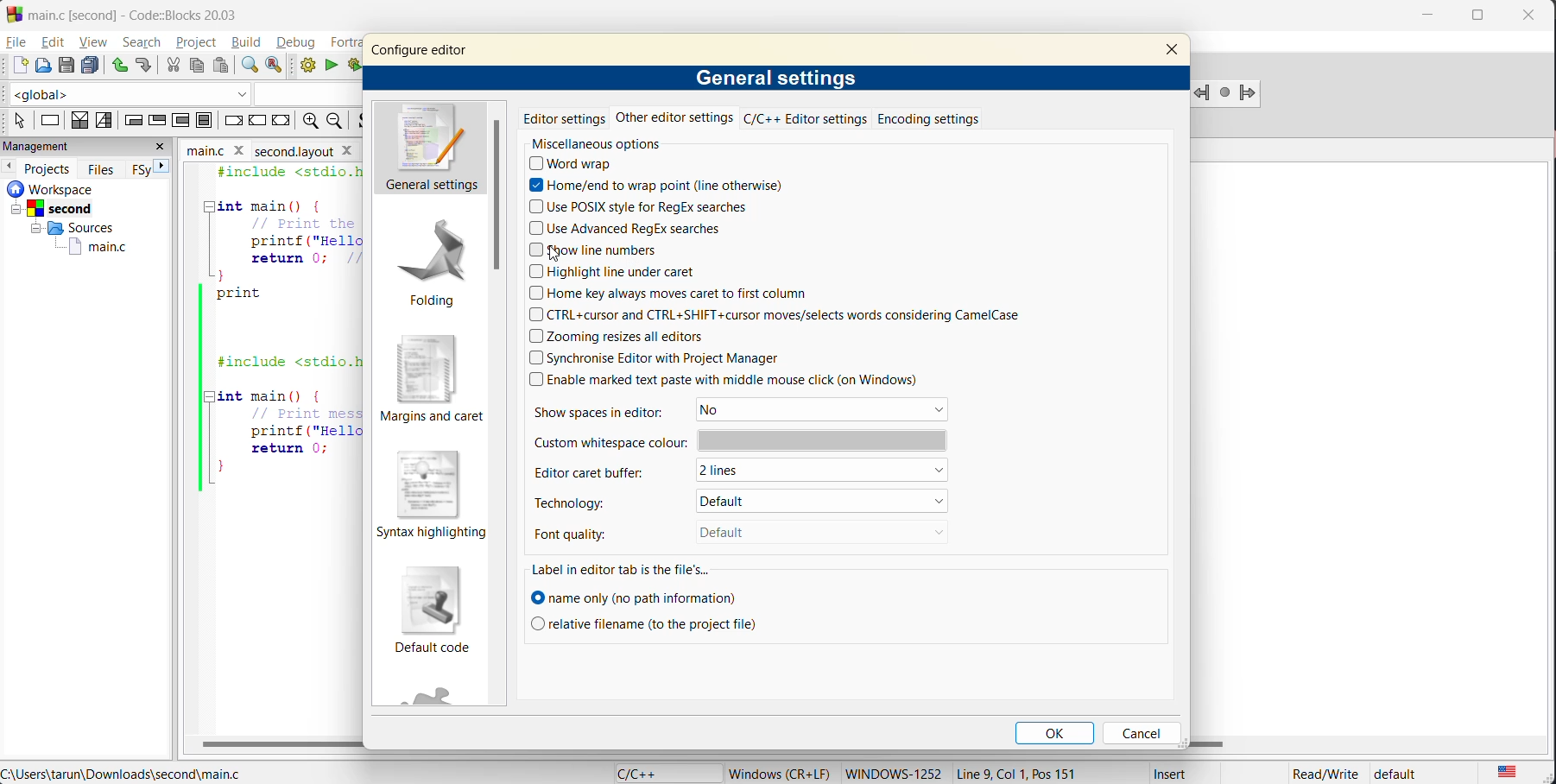  I want to click on jump backword, so click(1202, 93).